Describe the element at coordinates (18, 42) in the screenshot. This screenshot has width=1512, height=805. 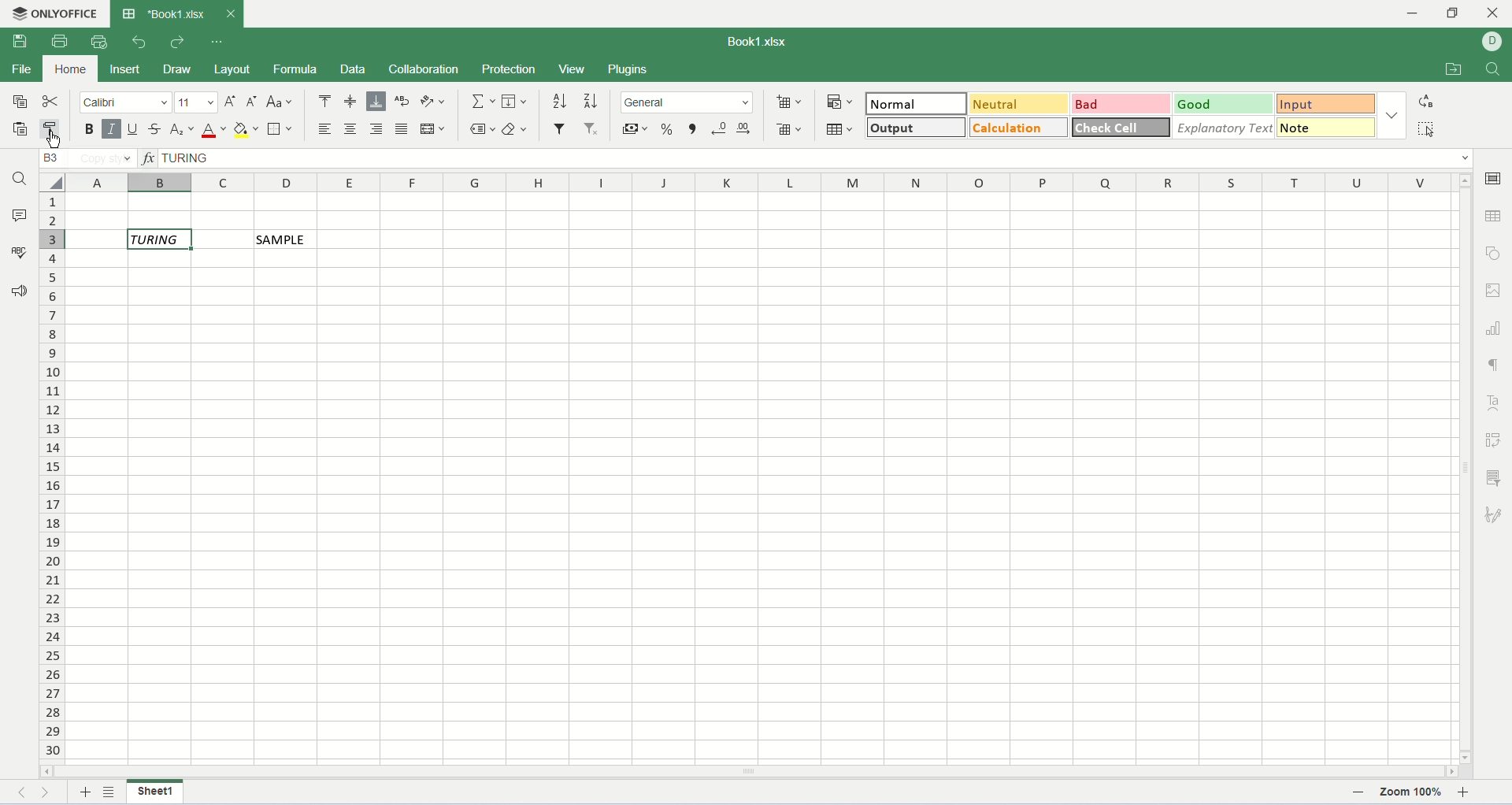
I see `save` at that location.